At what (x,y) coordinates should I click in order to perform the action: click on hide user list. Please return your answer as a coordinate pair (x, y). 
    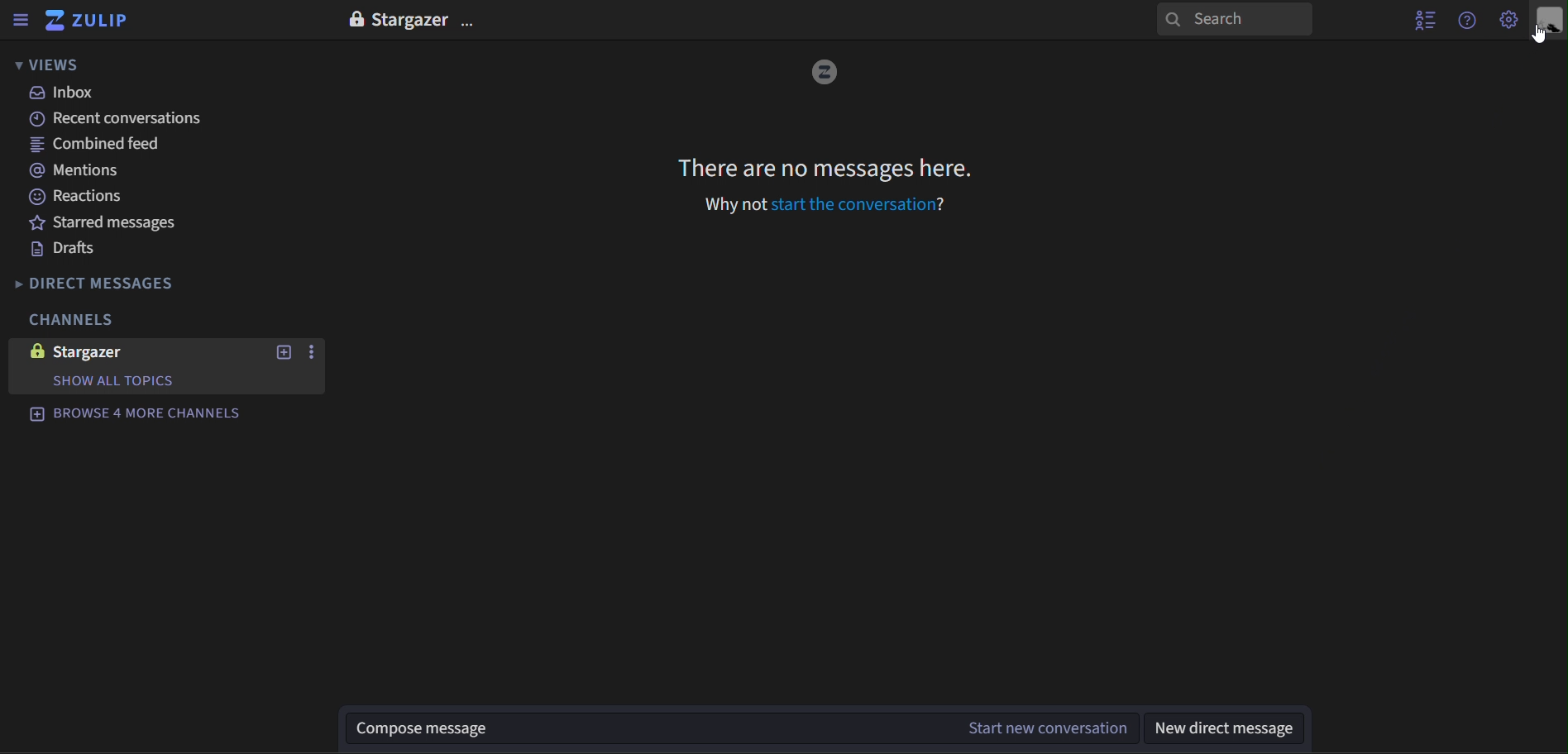
    Looking at the image, I should click on (1420, 22).